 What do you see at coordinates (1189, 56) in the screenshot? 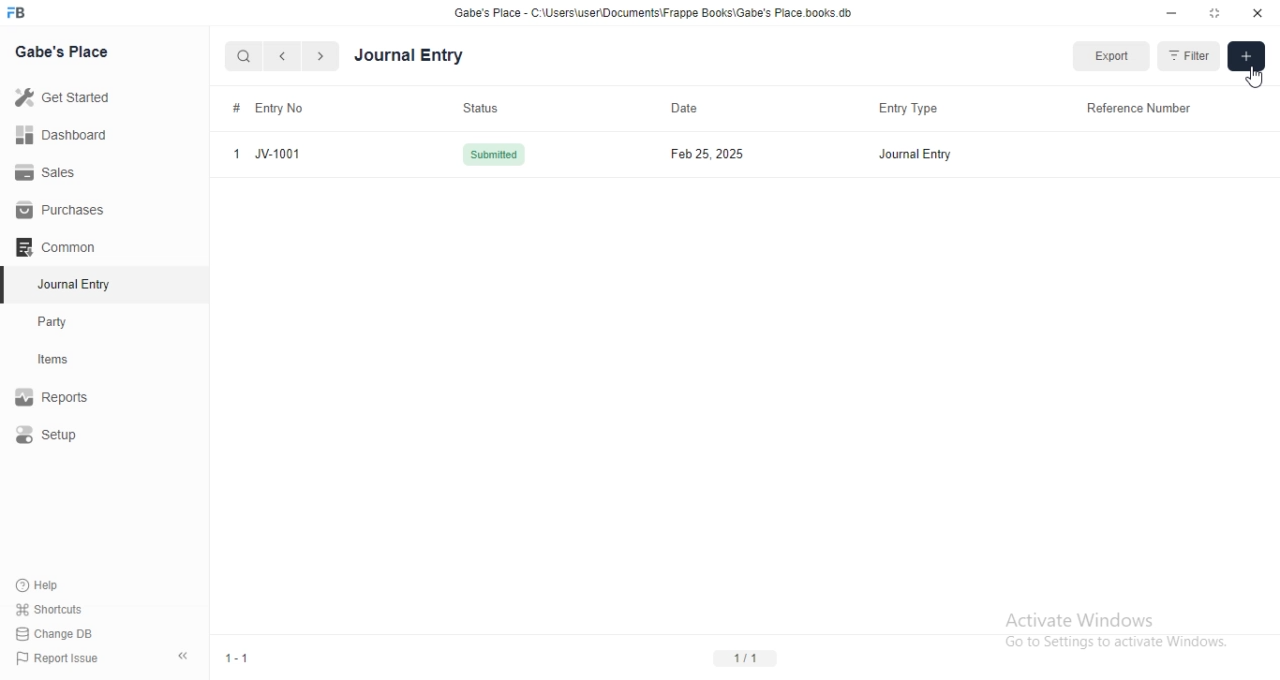
I see `Filter` at bounding box center [1189, 56].